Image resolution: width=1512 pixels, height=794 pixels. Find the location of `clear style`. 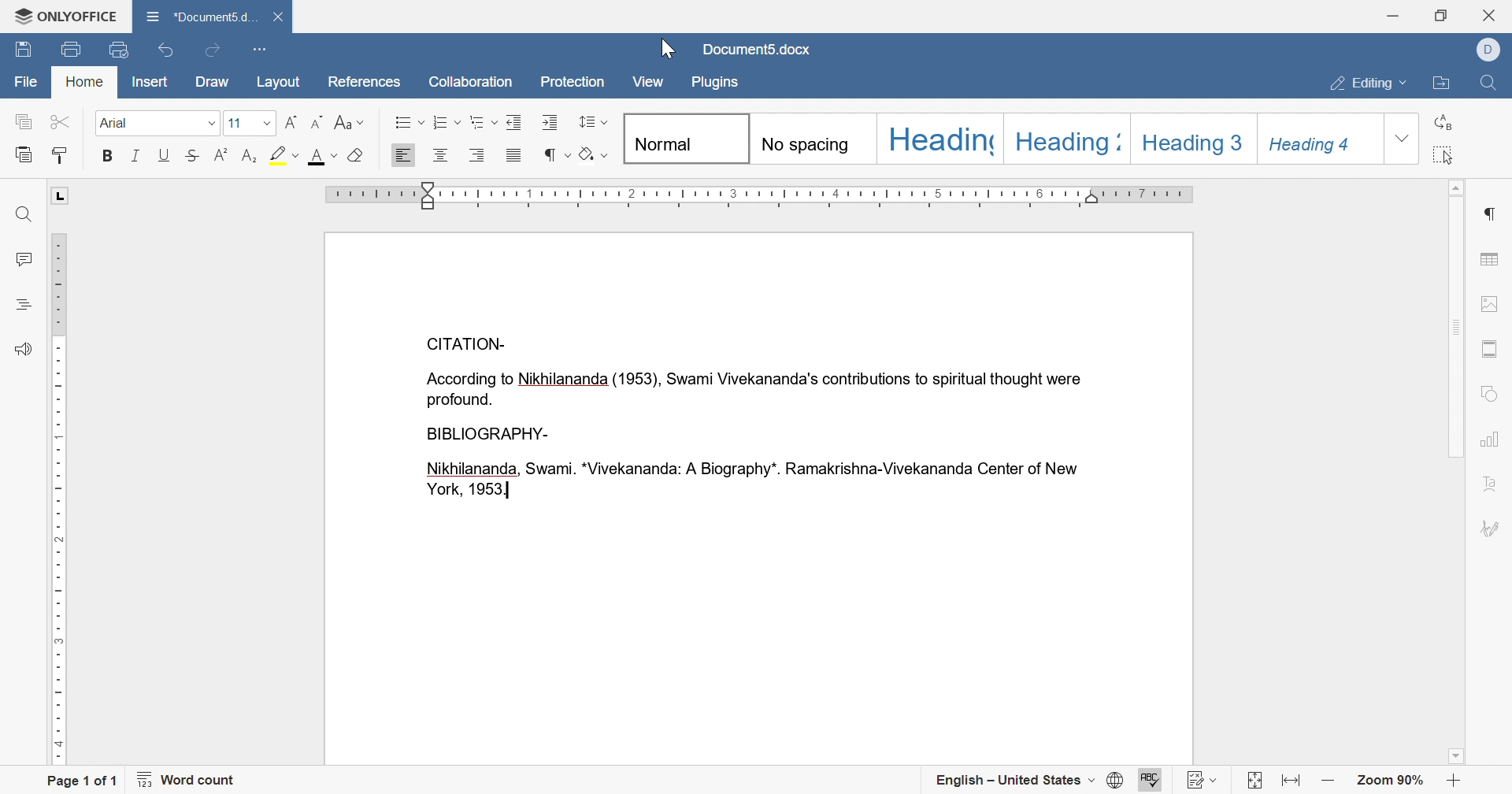

clear style is located at coordinates (591, 156).